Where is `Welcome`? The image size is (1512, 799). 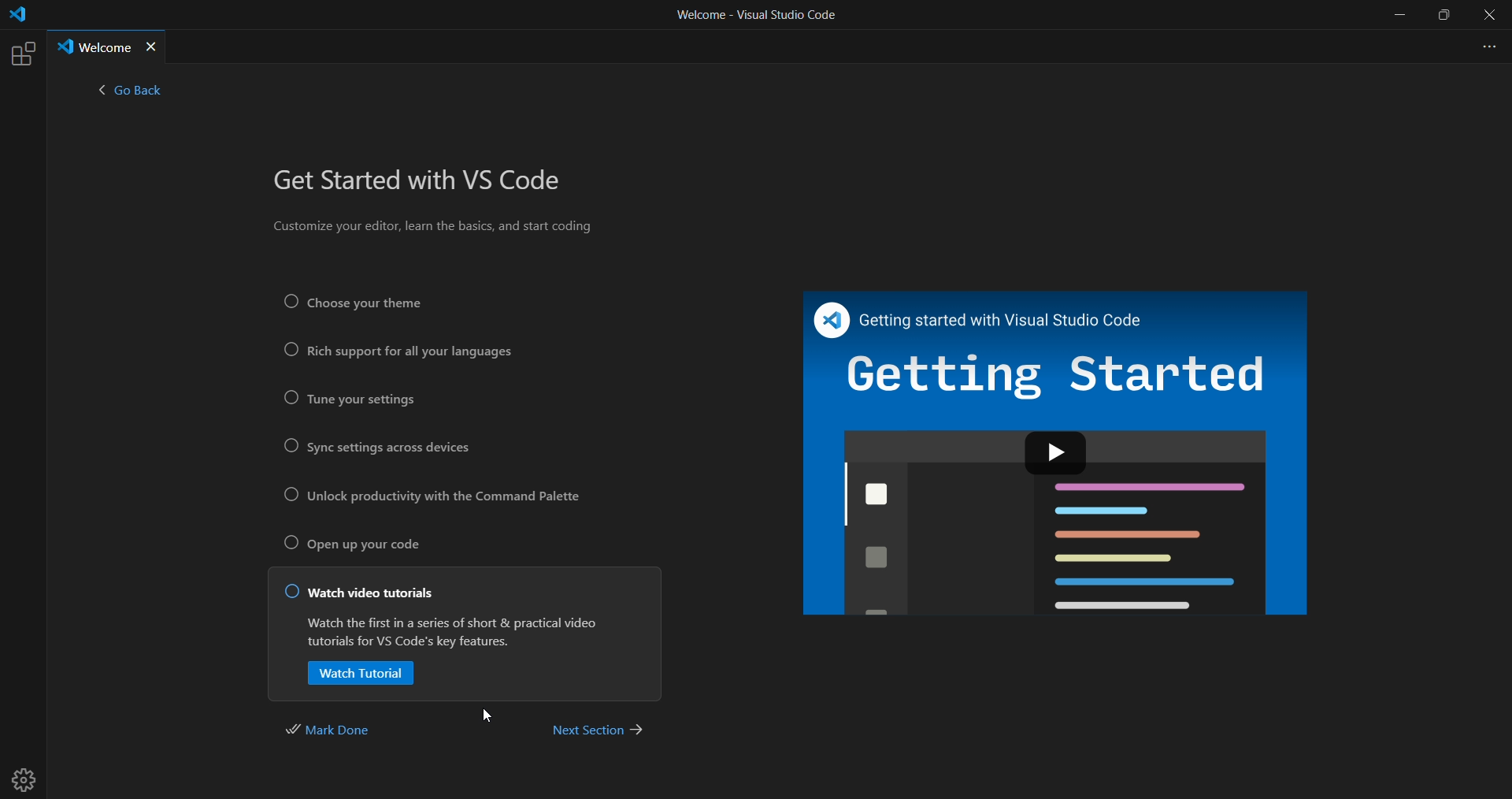
Welcome is located at coordinates (93, 46).